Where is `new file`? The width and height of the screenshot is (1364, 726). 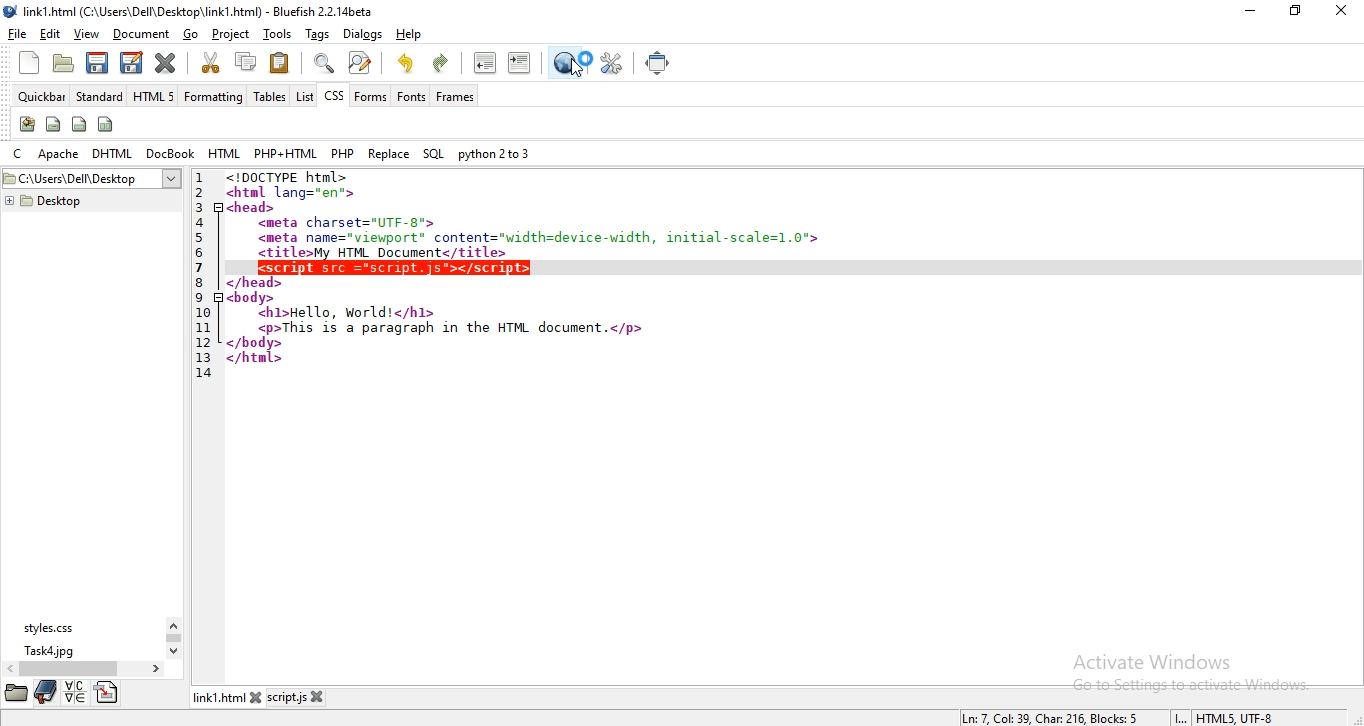
new file is located at coordinates (27, 62).